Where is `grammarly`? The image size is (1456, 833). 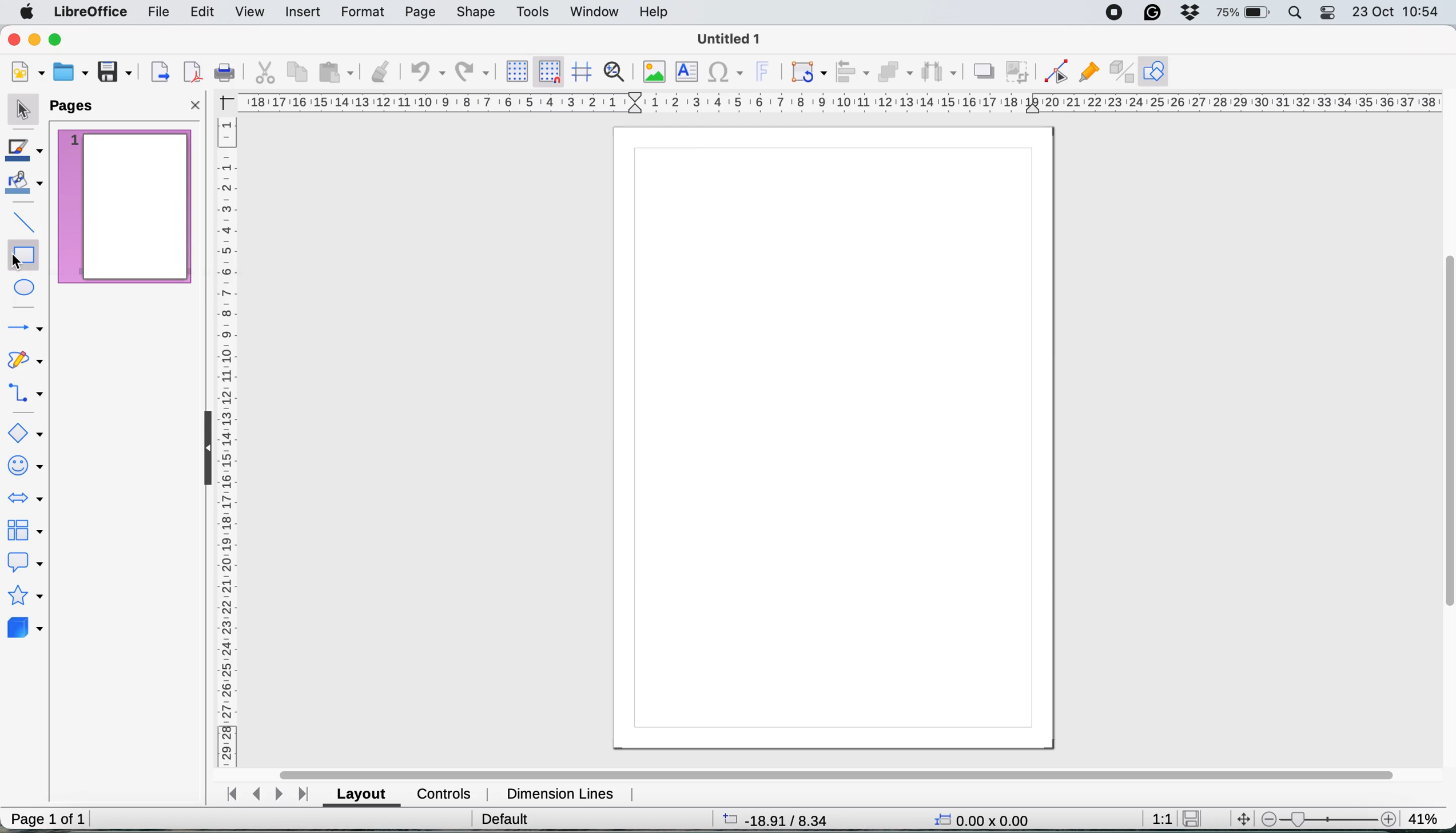
grammarly is located at coordinates (1152, 12).